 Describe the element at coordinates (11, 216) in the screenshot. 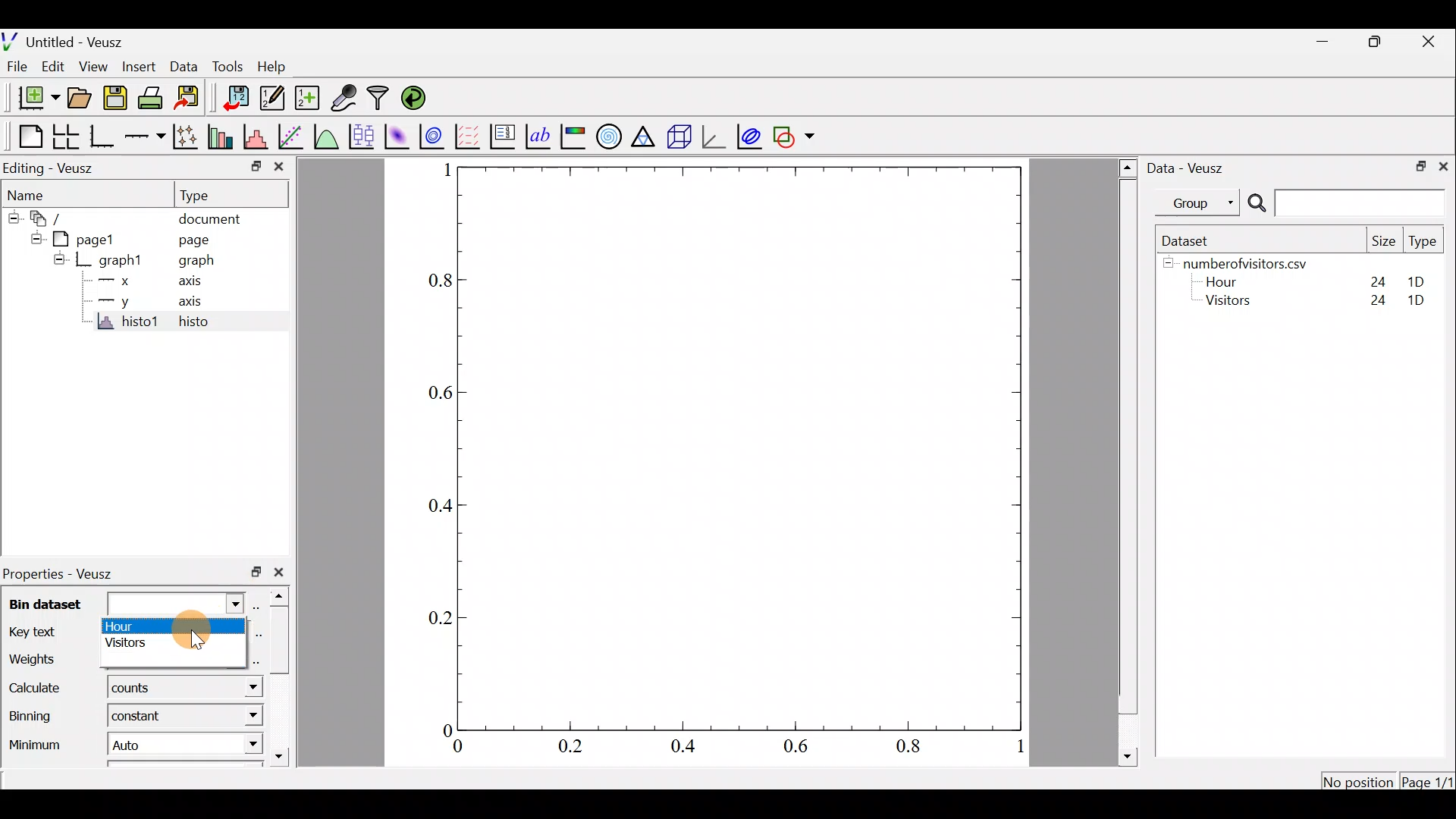

I see `hide sub menu` at that location.